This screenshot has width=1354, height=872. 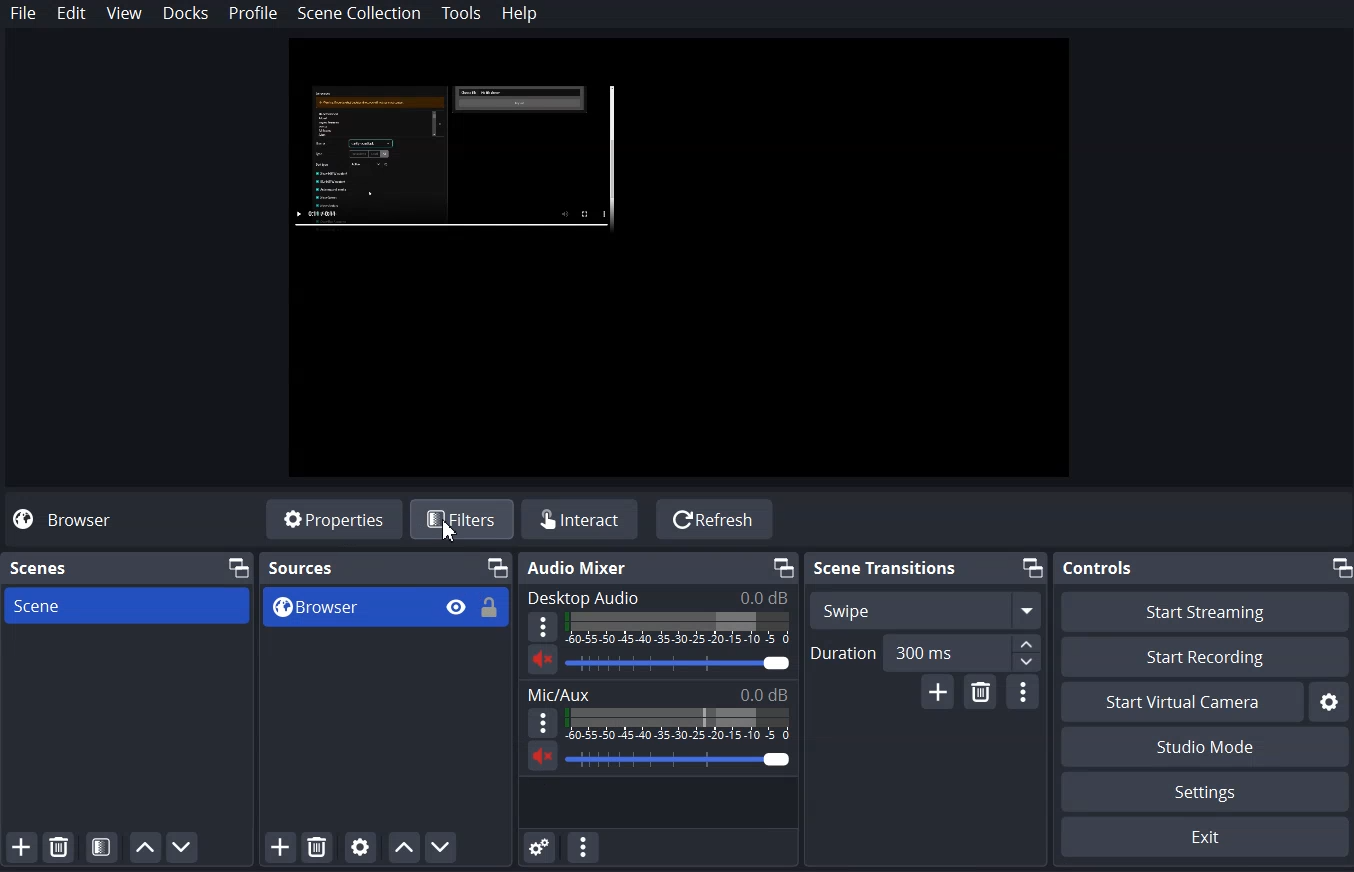 What do you see at coordinates (679, 629) in the screenshot?
I see `Volume Indicator` at bounding box center [679, 629].